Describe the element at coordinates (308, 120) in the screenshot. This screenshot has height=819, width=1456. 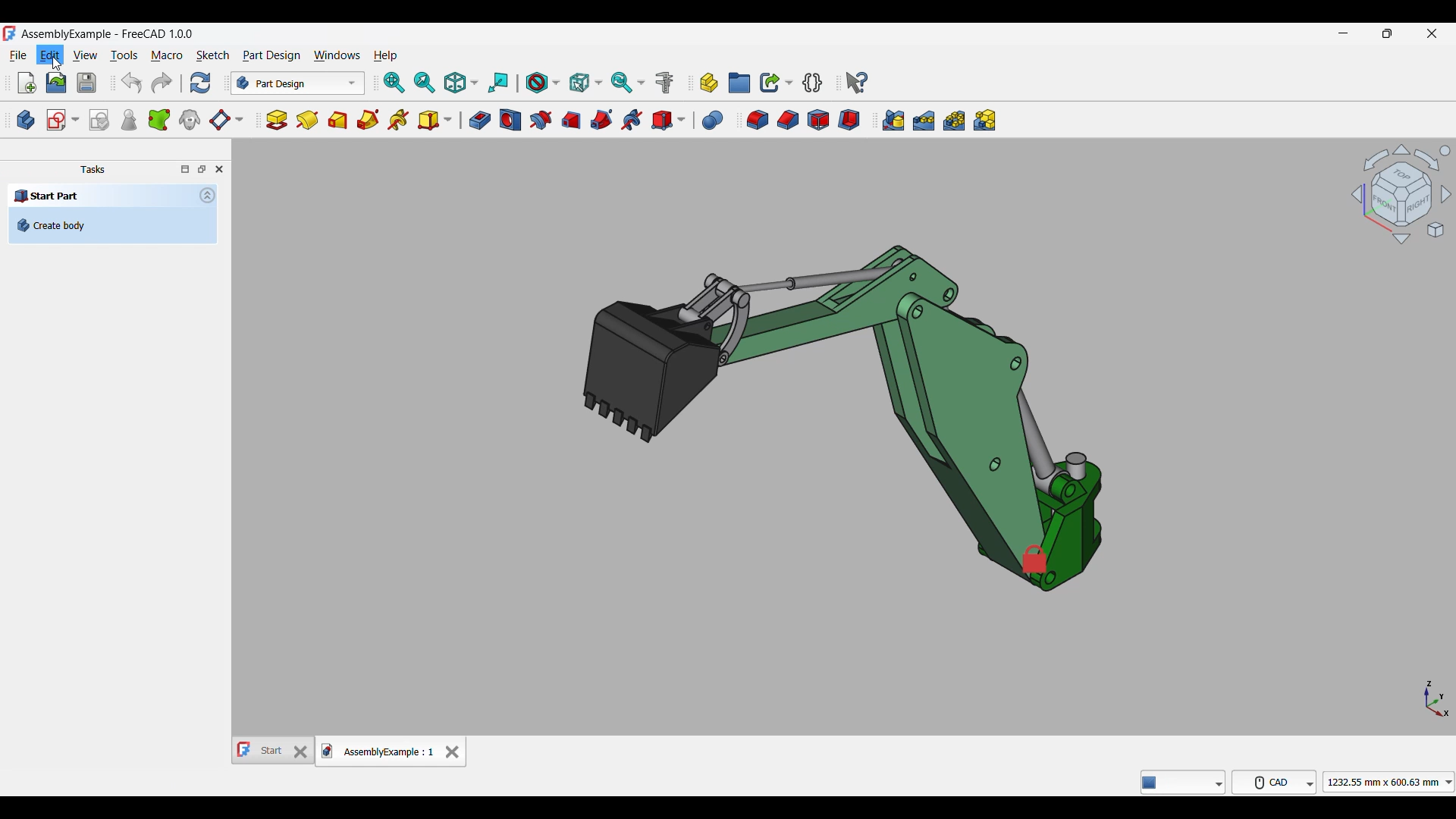
I see `Revolution` at that location.